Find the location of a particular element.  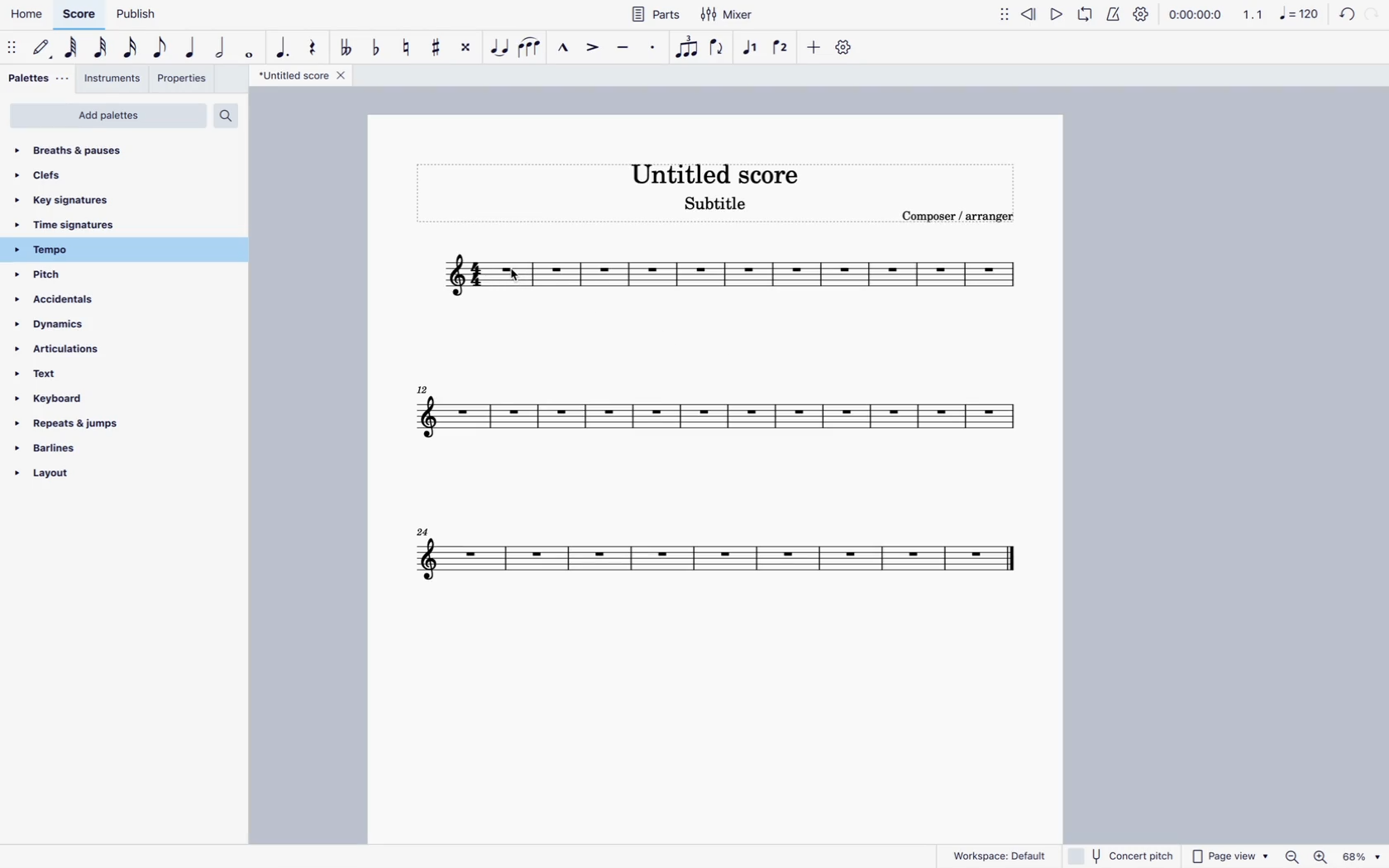

voice 1 is located at coordinates (753, 47).